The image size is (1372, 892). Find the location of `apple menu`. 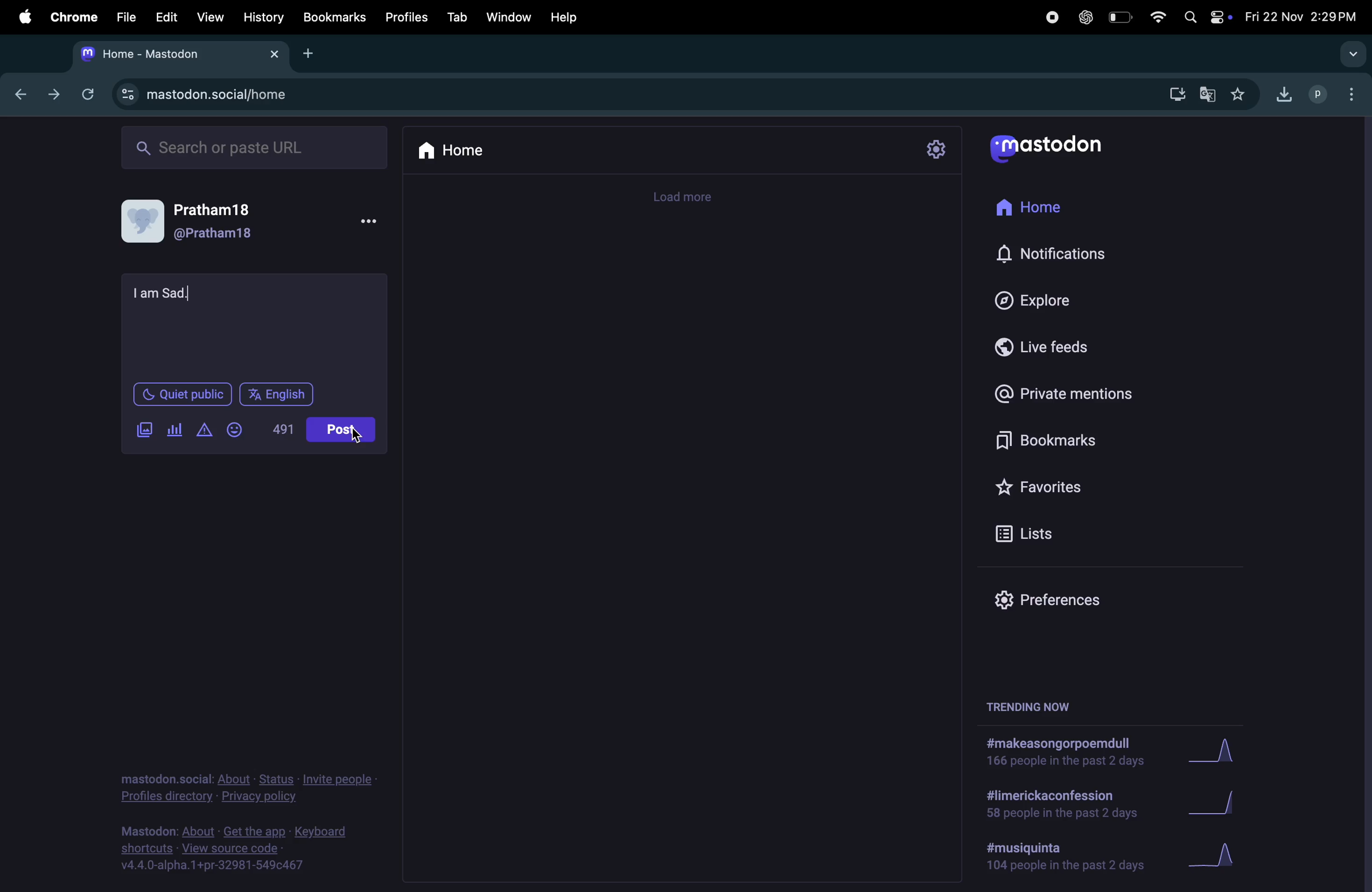

apple menu is located at coordinates (21, 16).